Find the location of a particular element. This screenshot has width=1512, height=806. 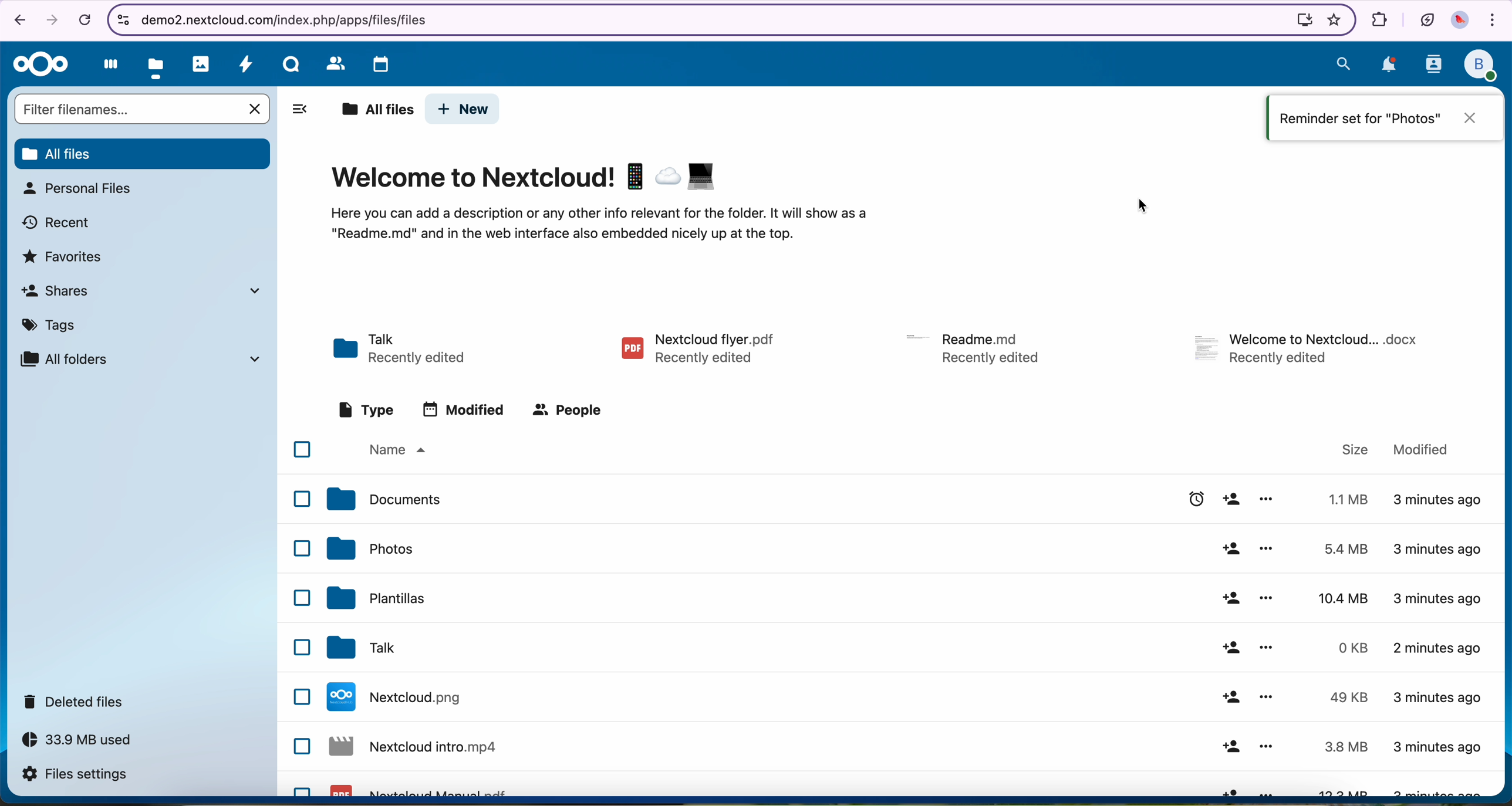

search bar is located at coordinates (140, 108).